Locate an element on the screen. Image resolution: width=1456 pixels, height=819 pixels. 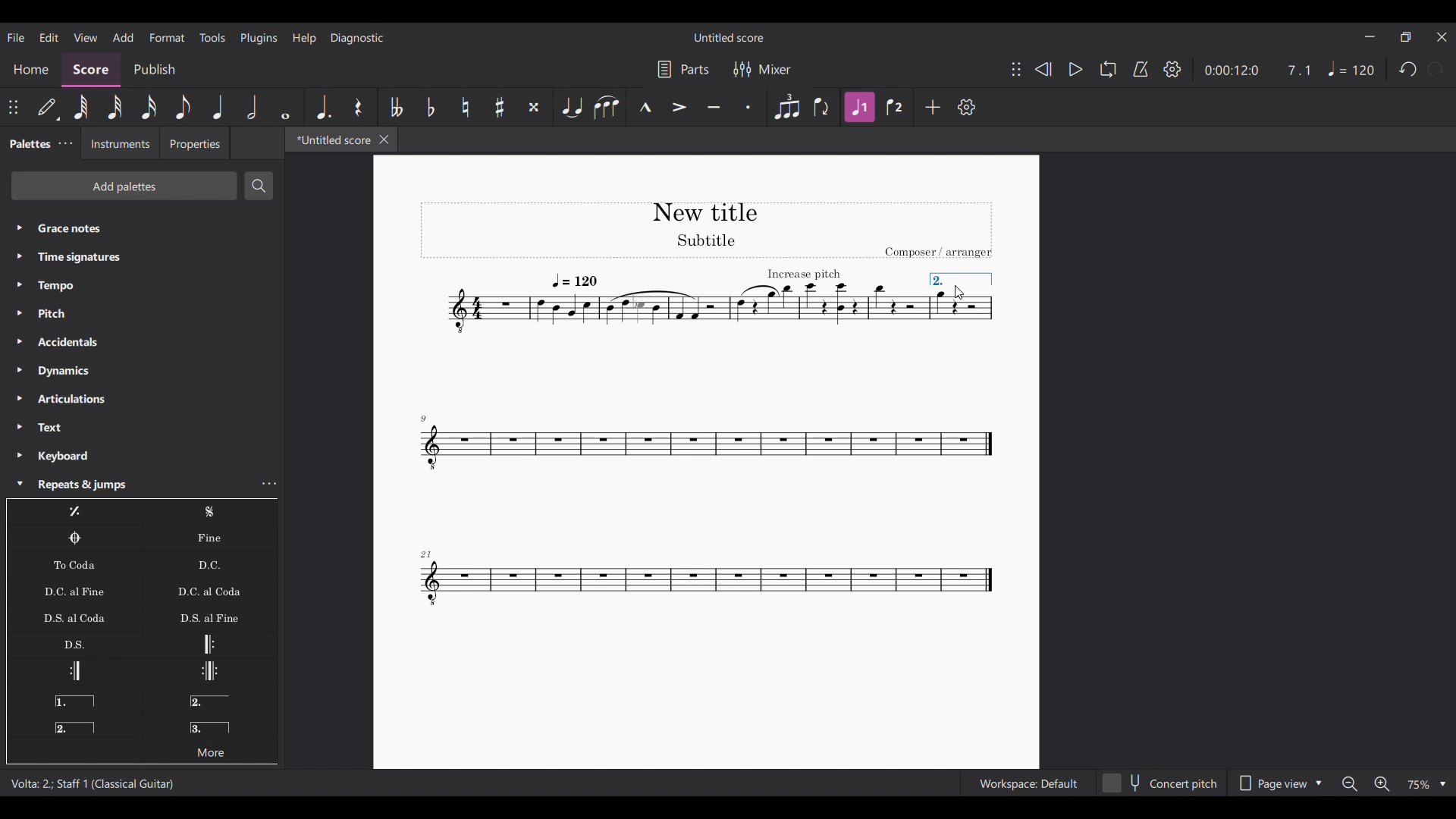
Toggle double flat is located at coordinates (394, 107).